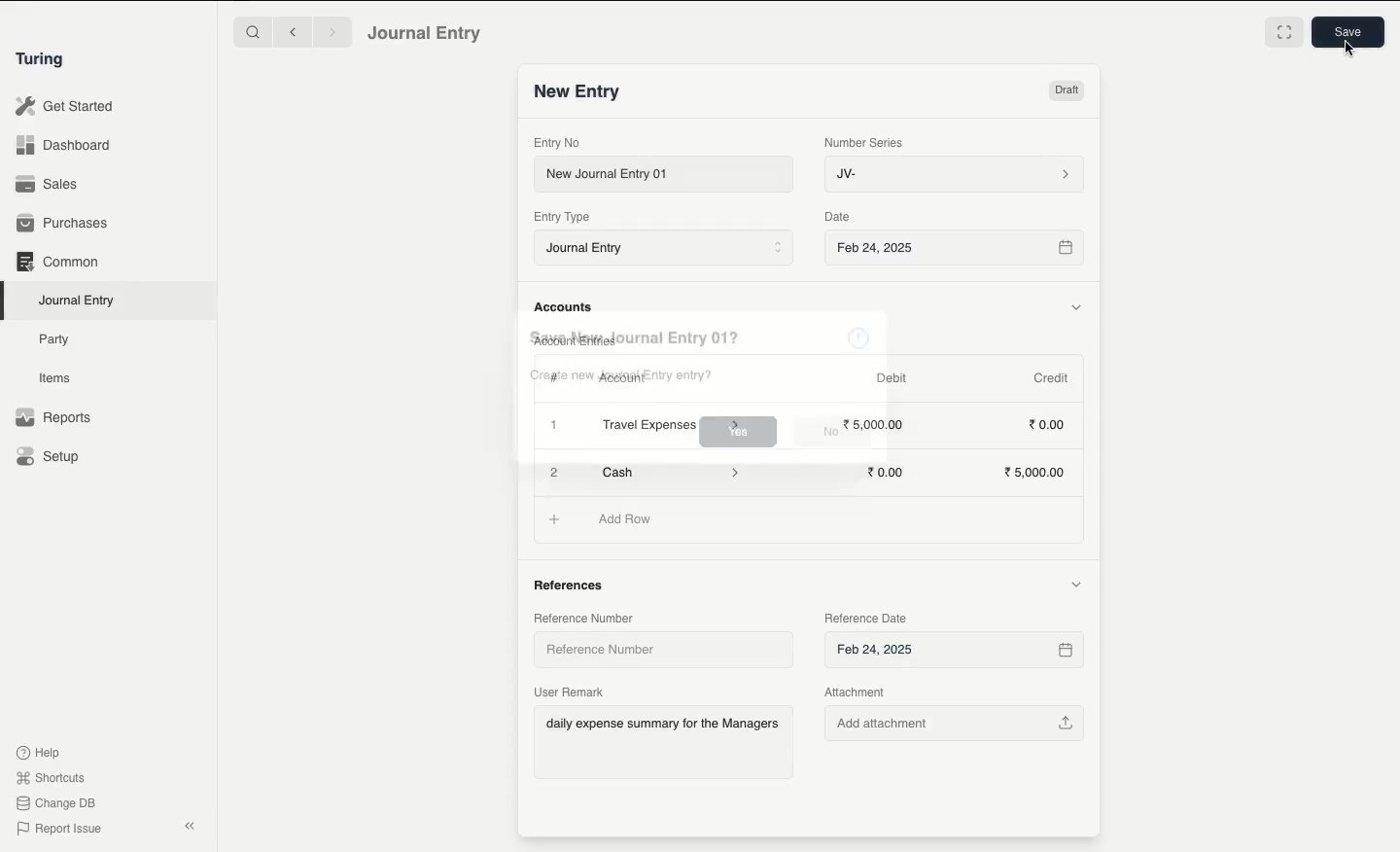 The image size is (1400, 852). I want to click on New Entry, so click(578, 92).